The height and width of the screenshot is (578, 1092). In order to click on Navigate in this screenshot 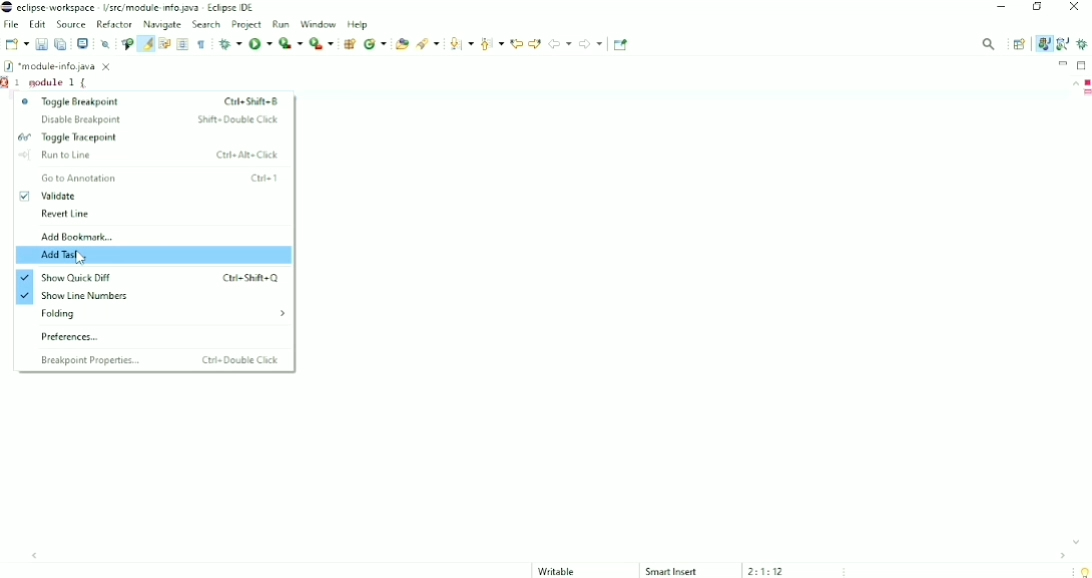, I will do `click(163, 25)`.